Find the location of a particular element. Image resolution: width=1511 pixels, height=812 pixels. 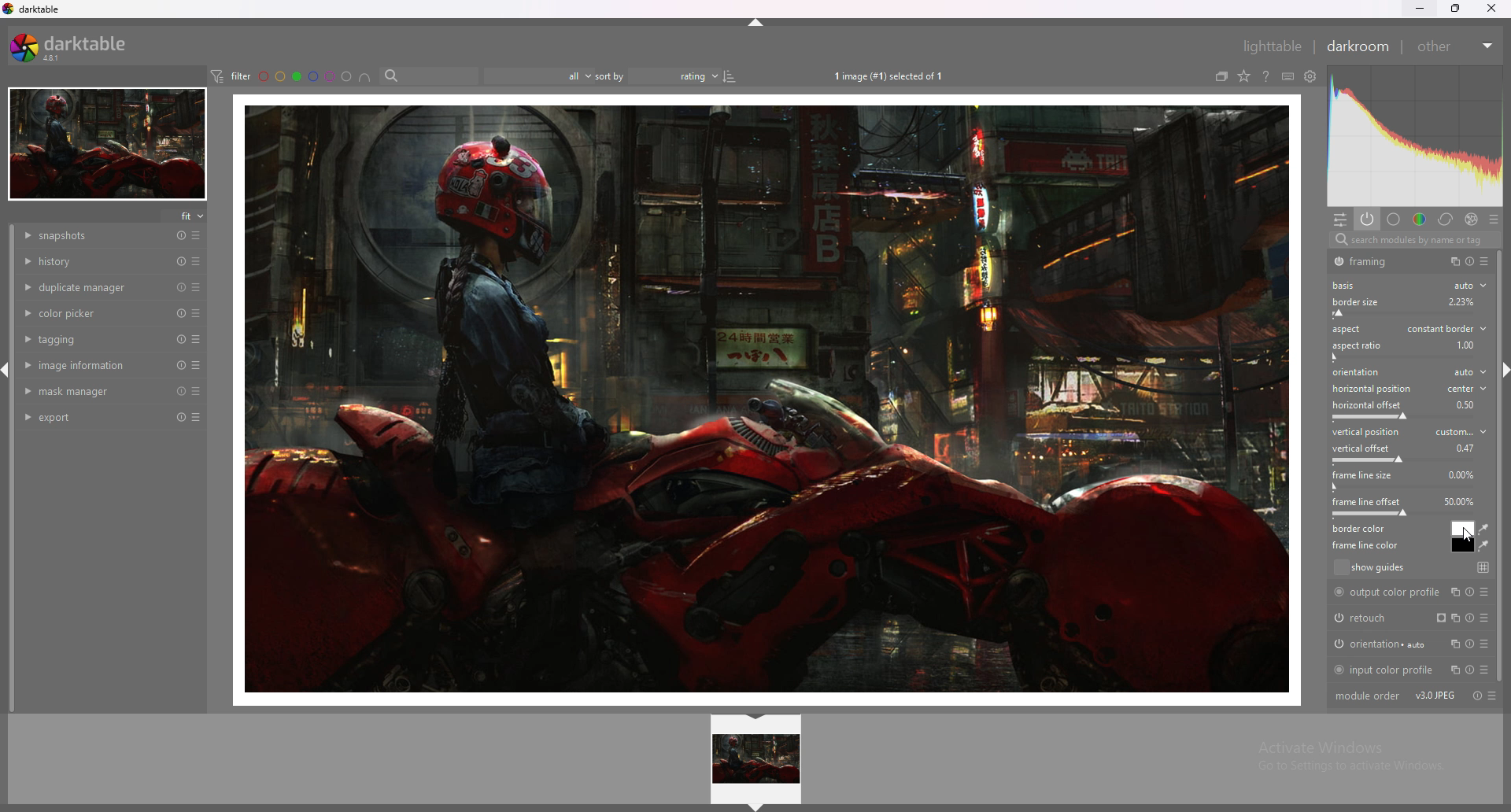

reset is located at coordinates (182, 314).